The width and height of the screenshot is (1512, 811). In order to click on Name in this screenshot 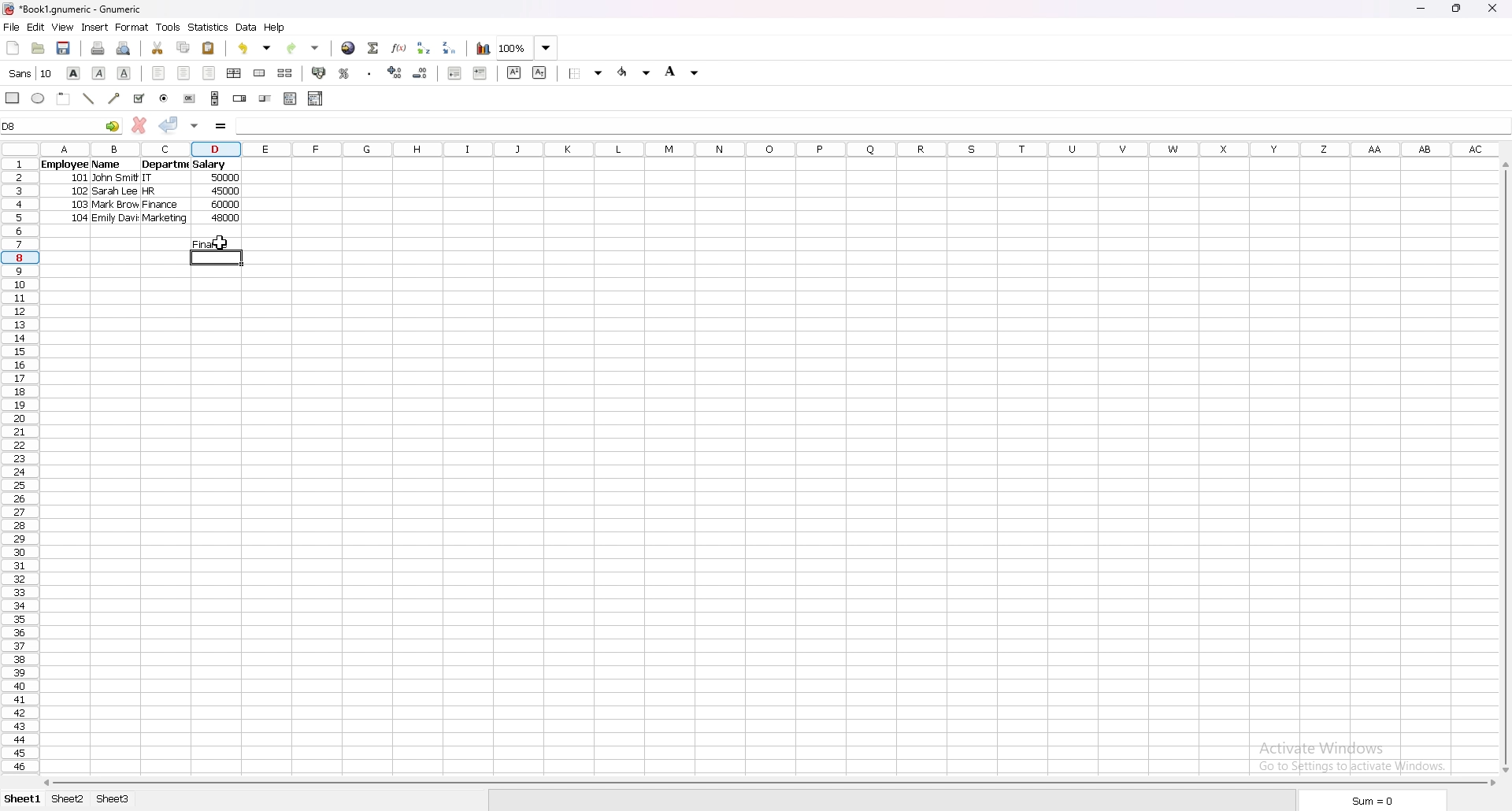, I will do `click(106, 165)`.